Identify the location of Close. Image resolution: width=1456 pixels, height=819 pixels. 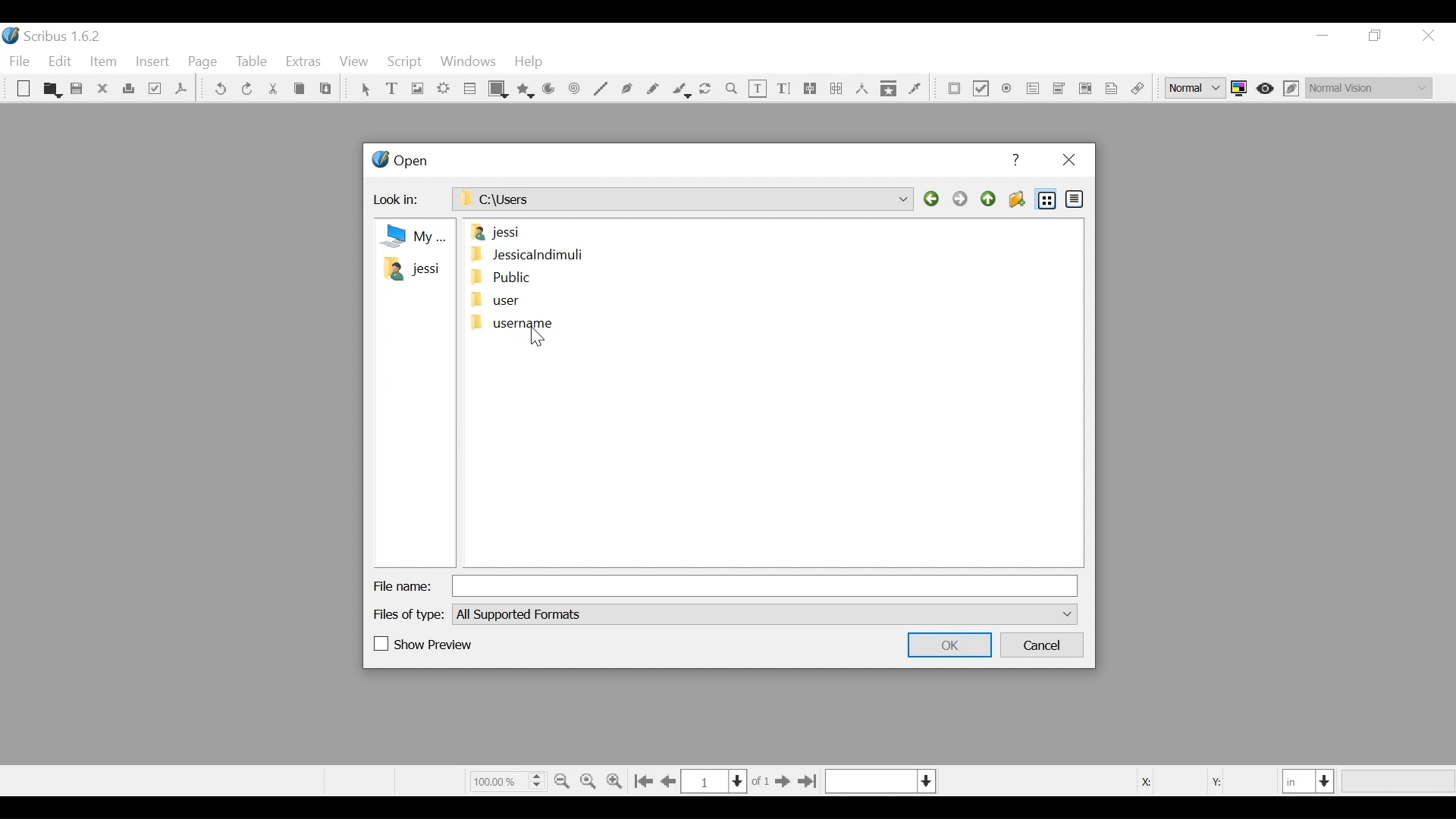
(1068, 161).